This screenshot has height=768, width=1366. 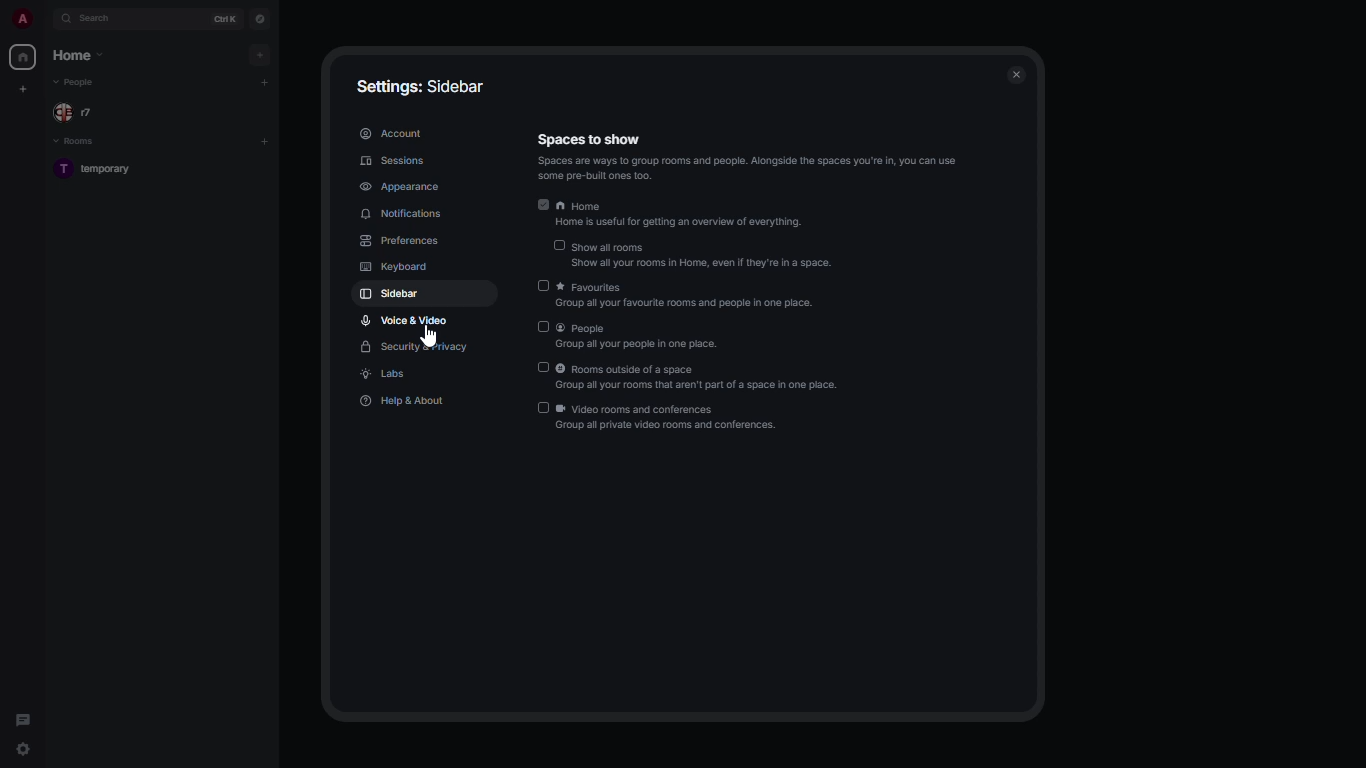 I want to click on rooms, so click(x=81, y=141).